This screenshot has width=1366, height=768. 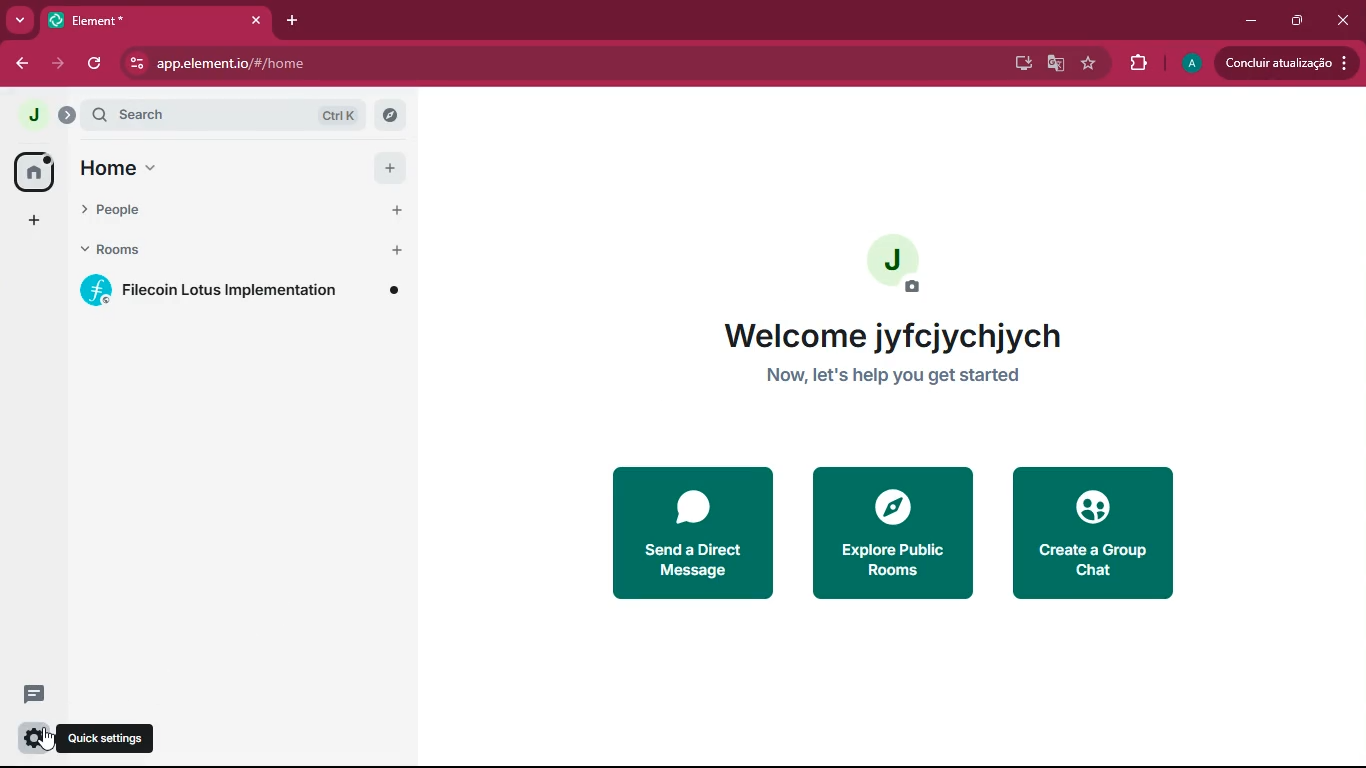 I want to click on search, so click(x=233, y=115).